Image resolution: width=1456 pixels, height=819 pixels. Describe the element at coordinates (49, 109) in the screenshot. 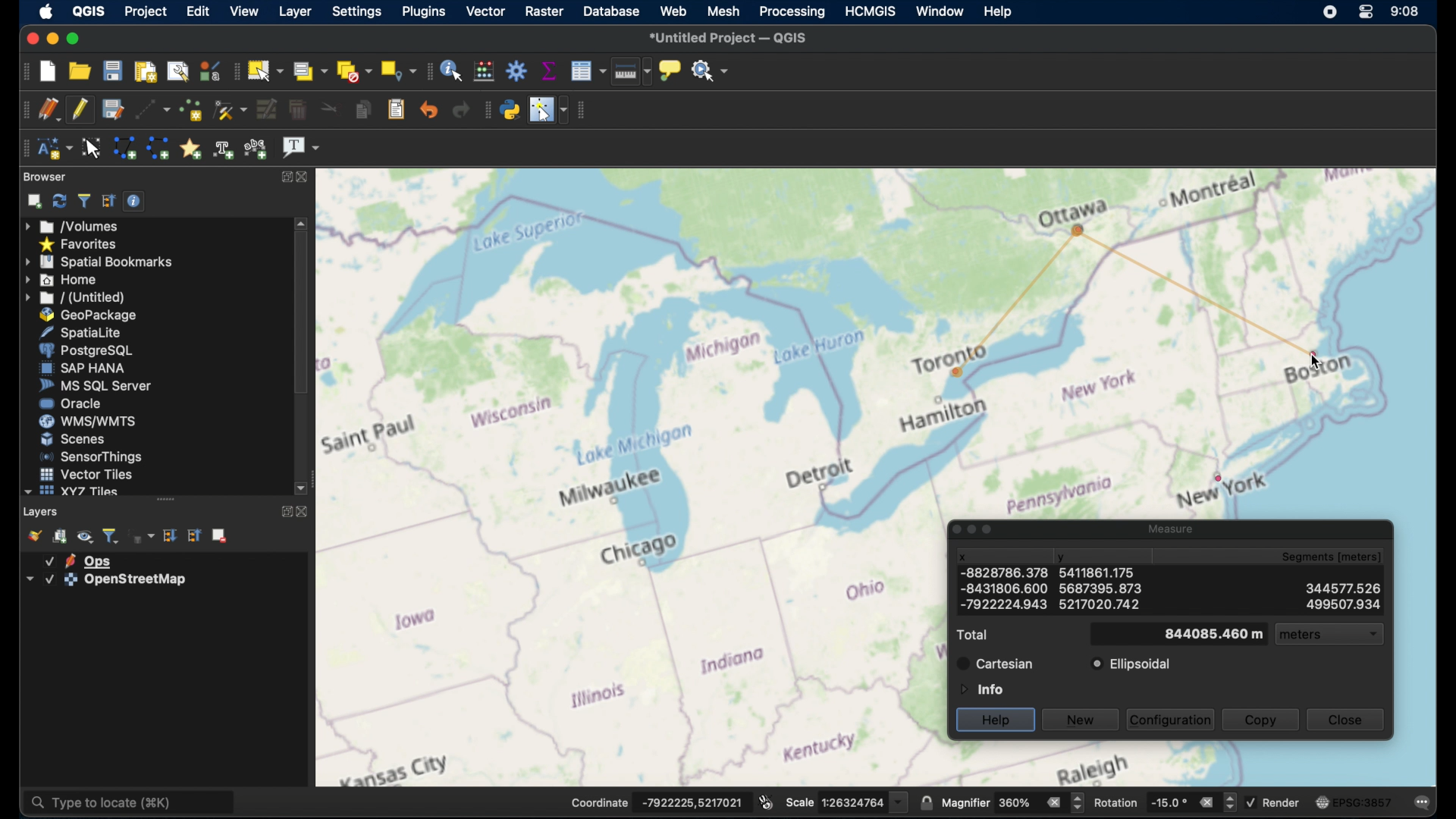

I see `current edits` at that location.